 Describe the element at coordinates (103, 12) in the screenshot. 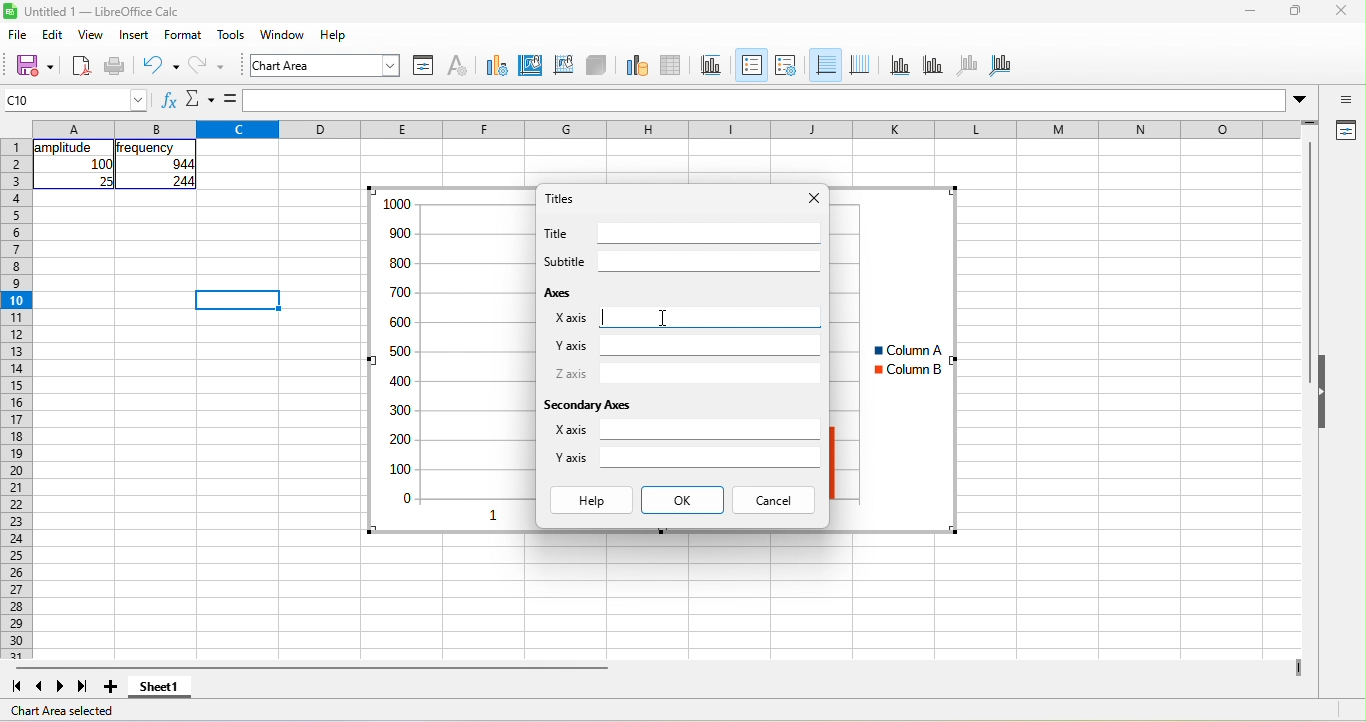

I see `Untitled 1 — LibreOffice Calc` at that location.